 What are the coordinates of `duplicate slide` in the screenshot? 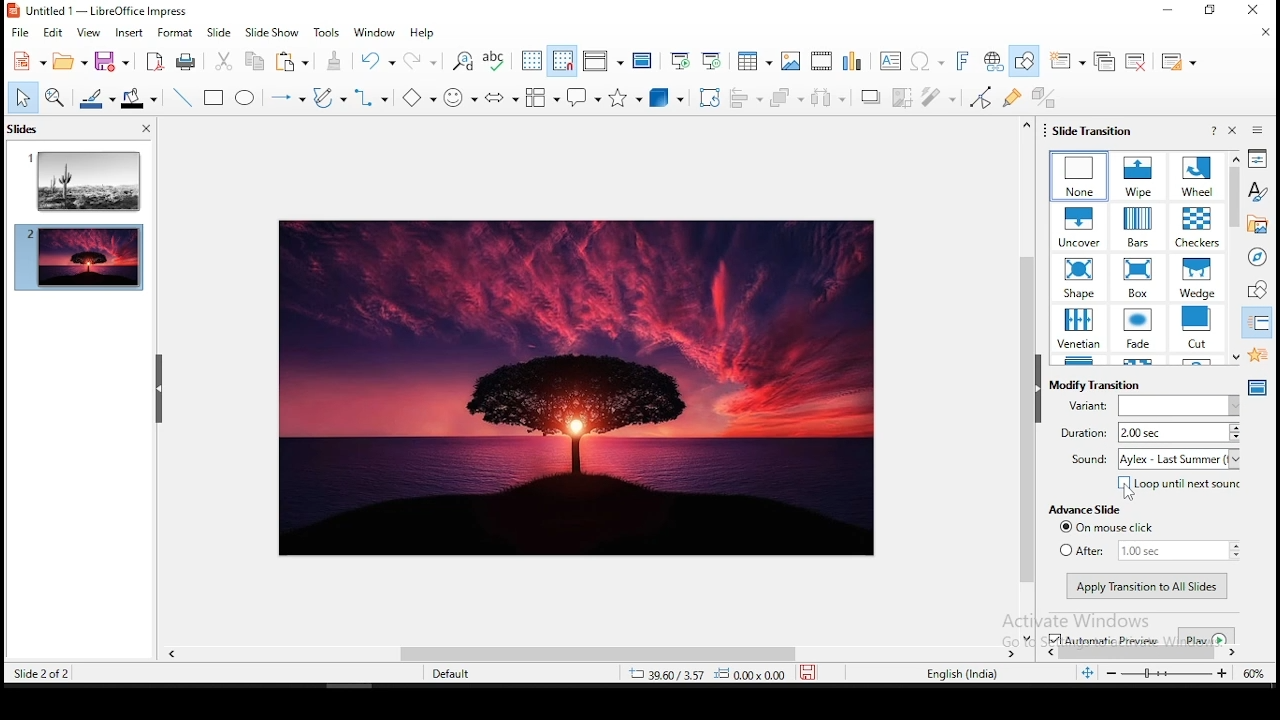 It's located at (1108, 58).